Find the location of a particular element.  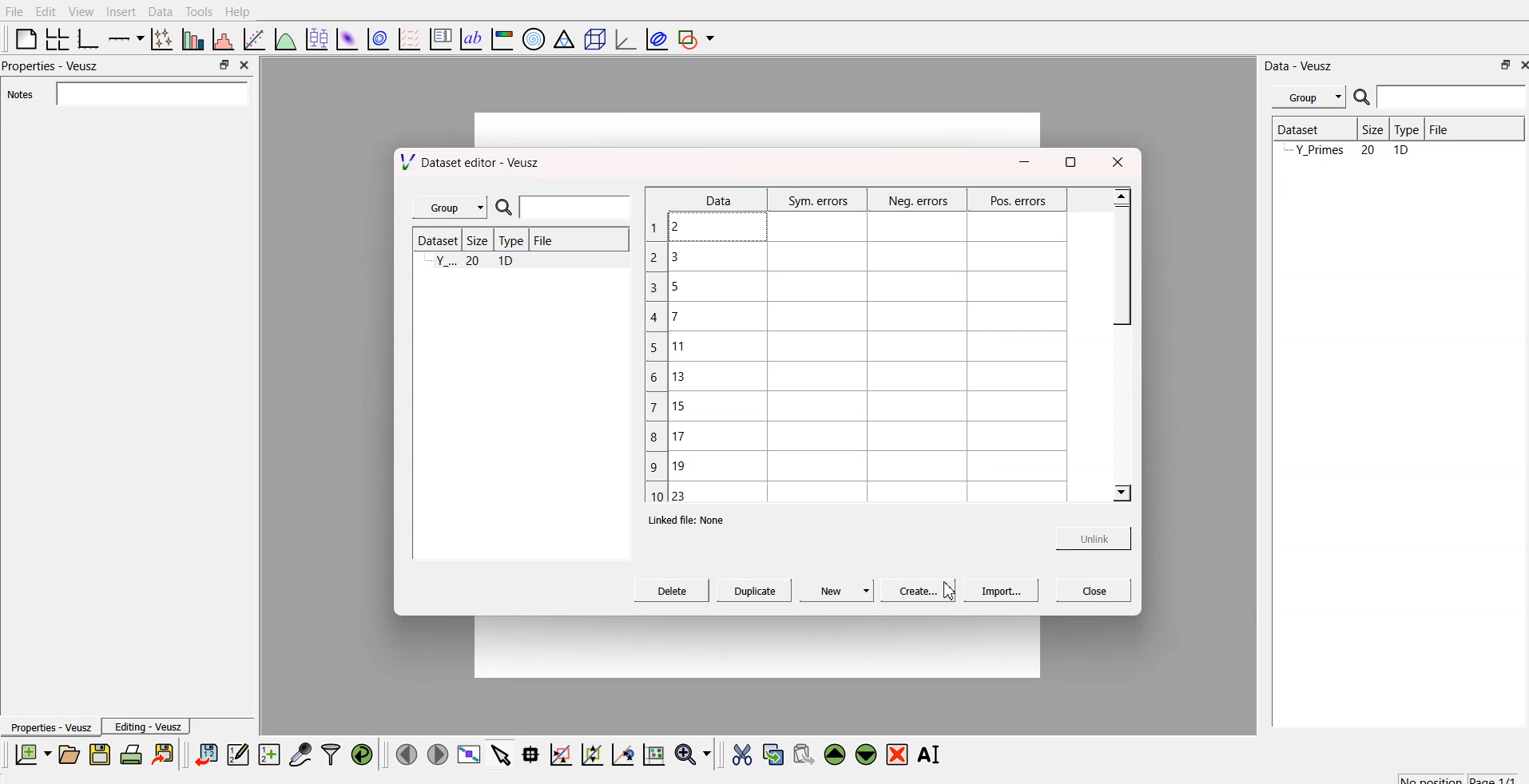

Data is located at coordinates (716, 200).